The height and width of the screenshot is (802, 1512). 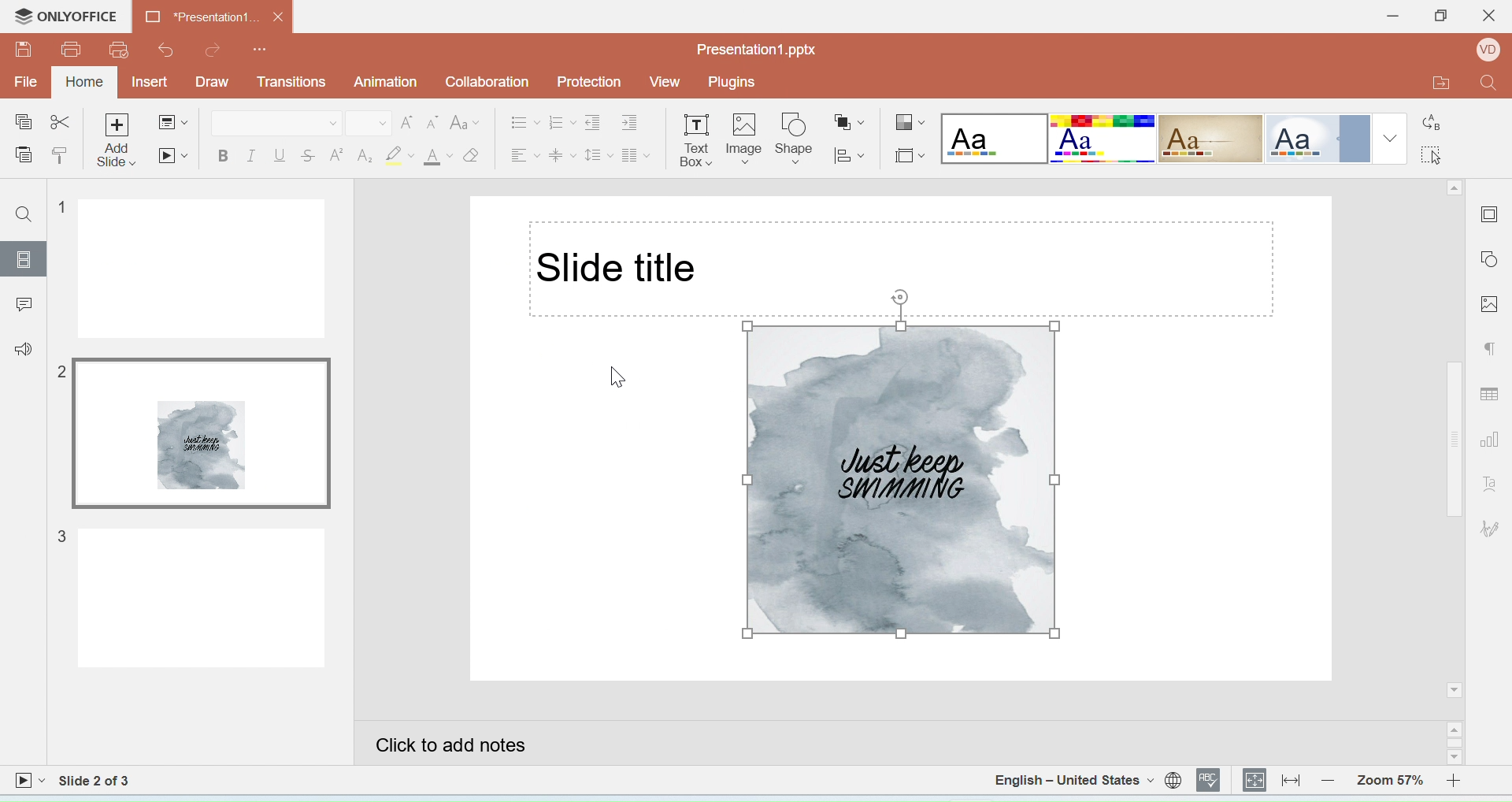 What do you see at coordinates (1437, 153) in the screenshot?
I see `Select all` at bounding box center [1437, 153].